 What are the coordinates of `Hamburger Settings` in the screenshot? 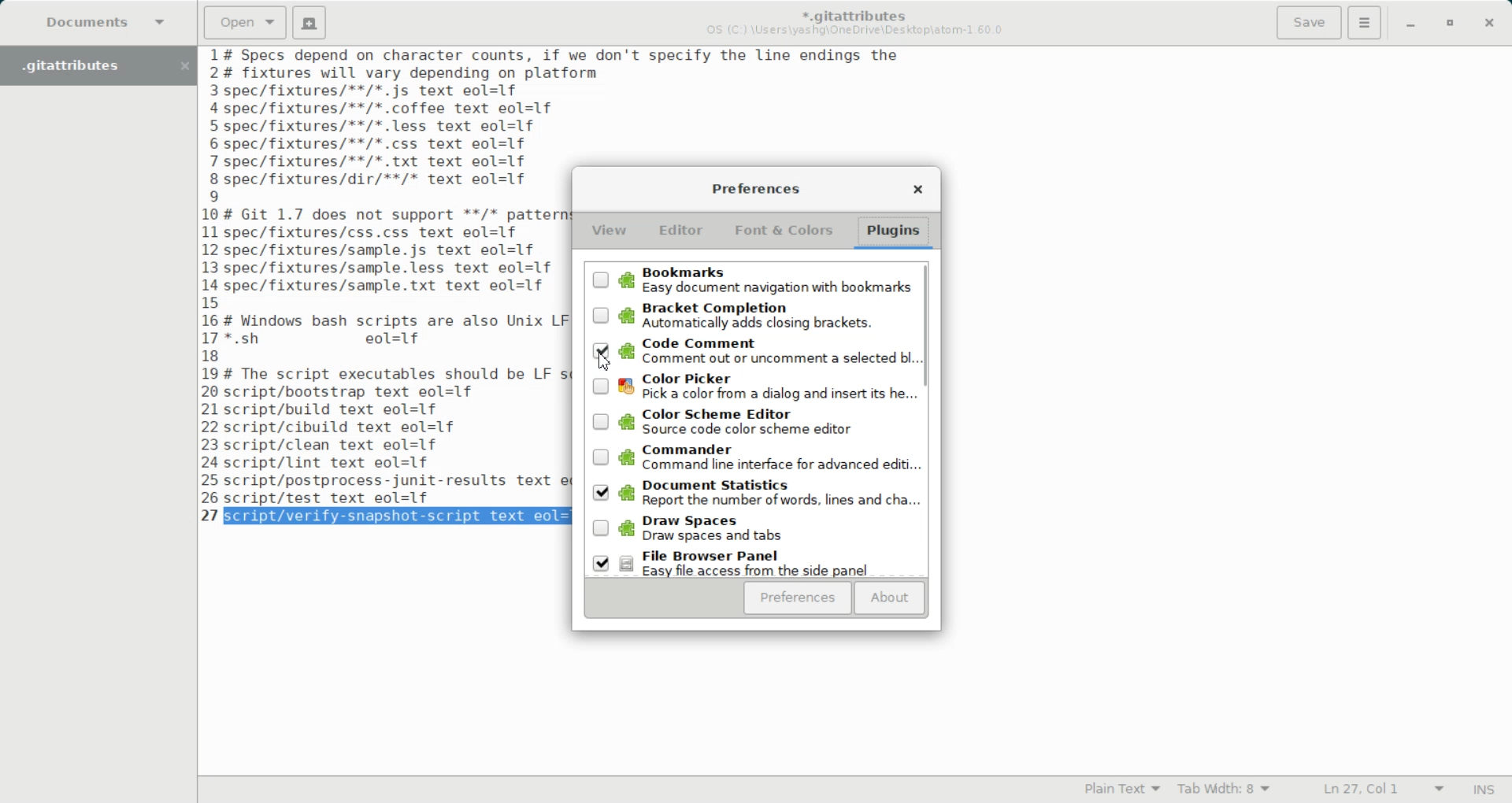 It's located at (1365, 22).